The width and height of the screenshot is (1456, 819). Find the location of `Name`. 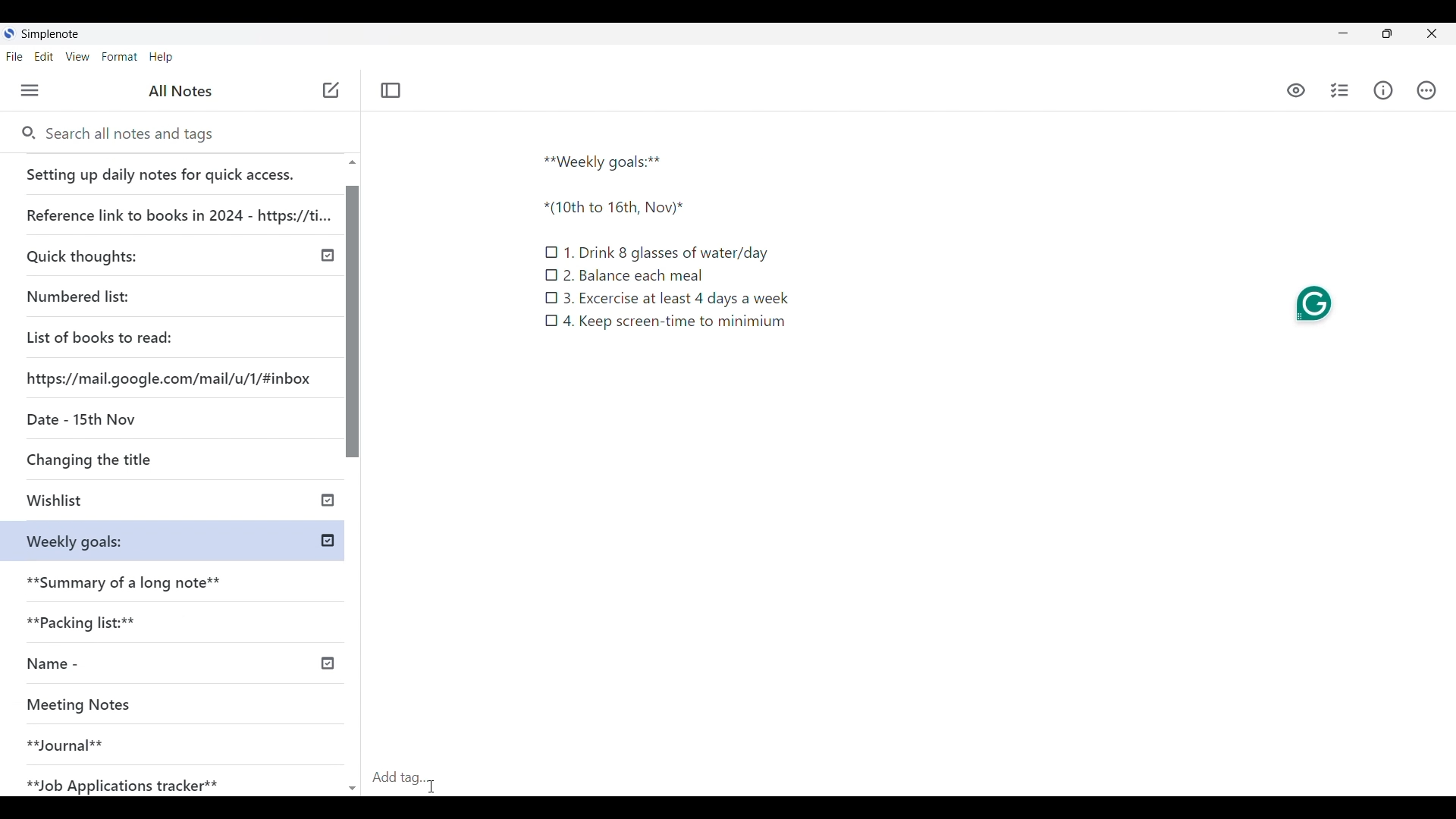

Name is located at coordinates (108, 664).